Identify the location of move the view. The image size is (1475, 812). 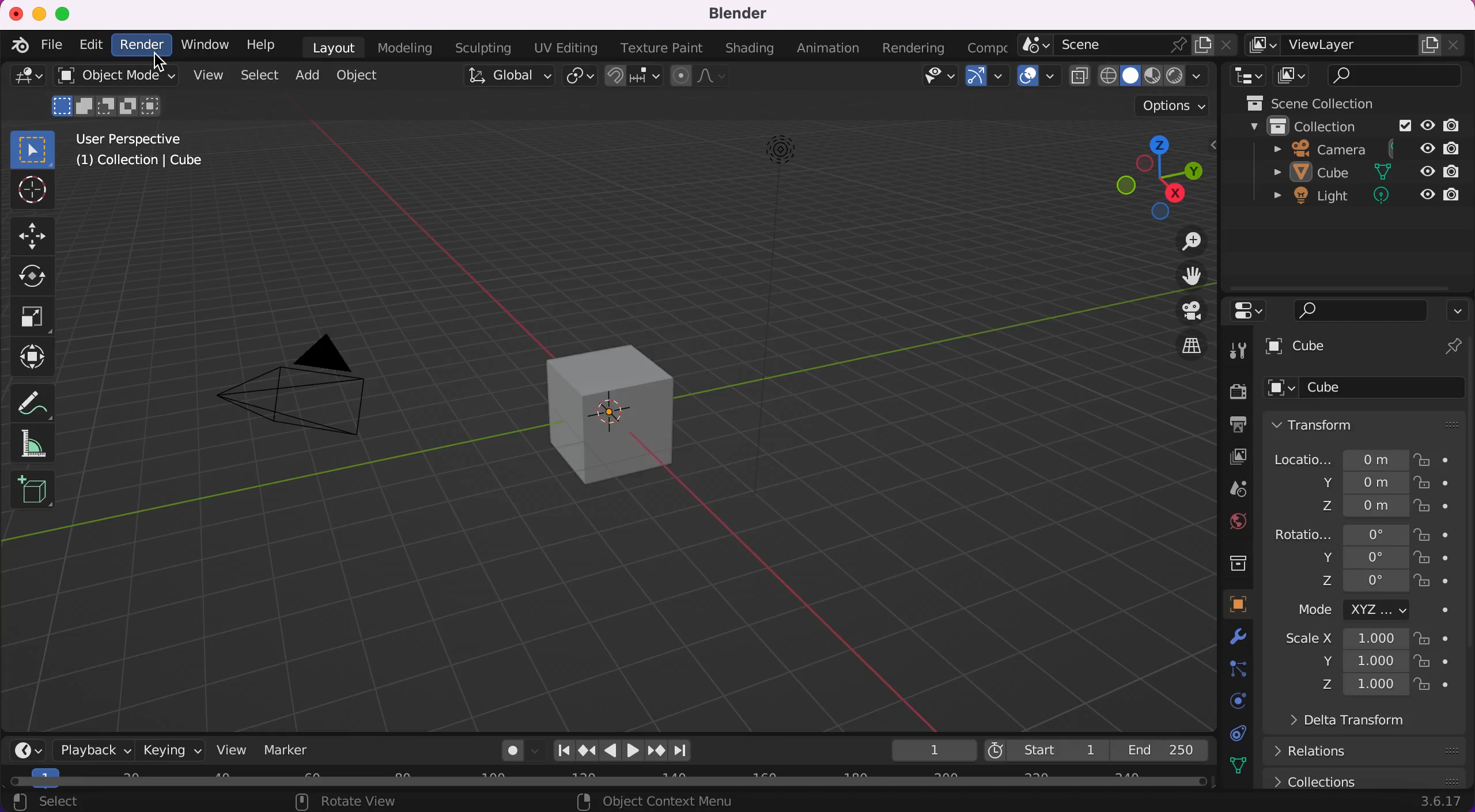
(1186, 279).